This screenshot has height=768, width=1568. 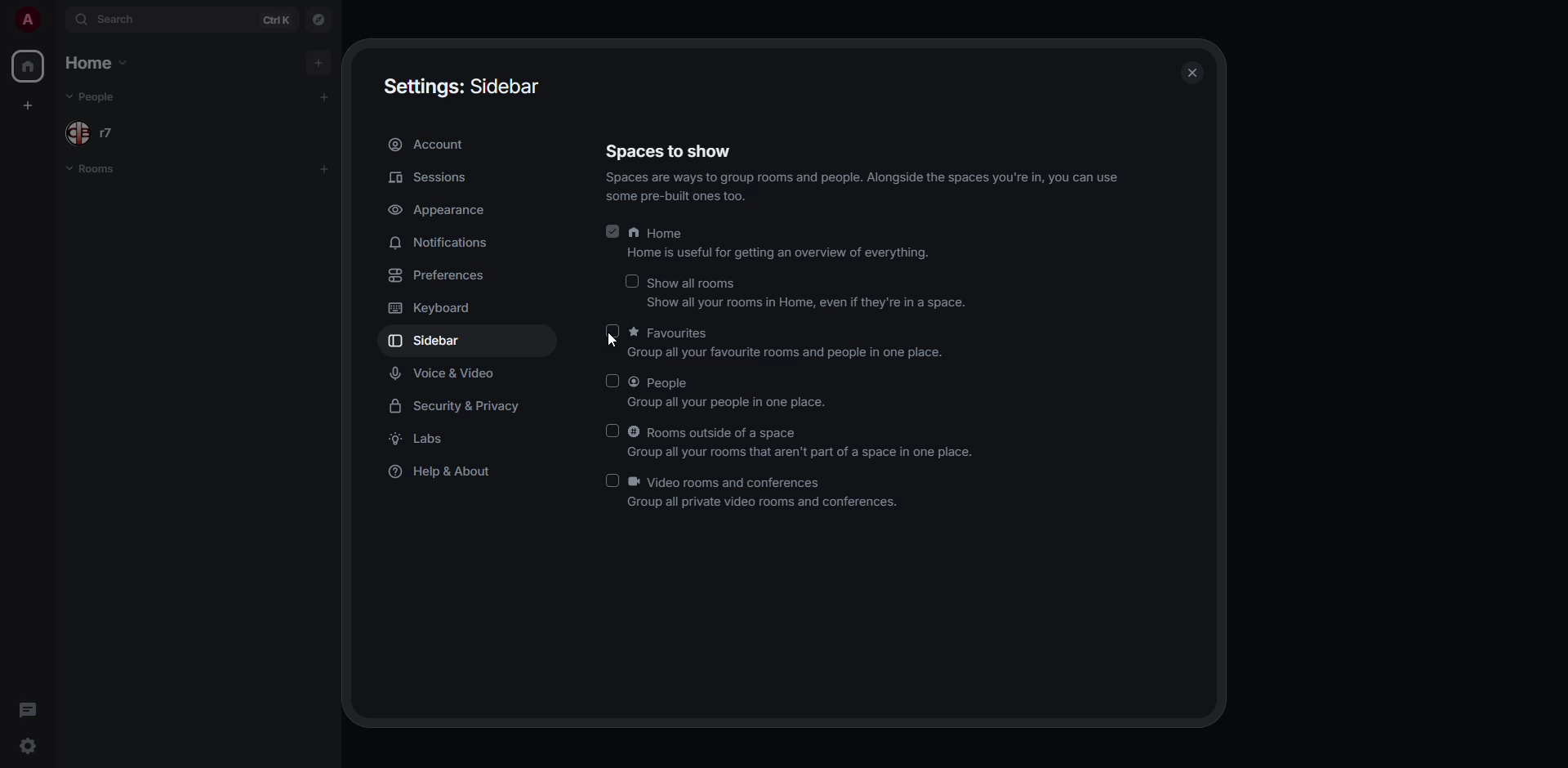 I want to click on Show all rooms Show all your rooms in Home, even if they're in a space., so click(x=809, y=291).